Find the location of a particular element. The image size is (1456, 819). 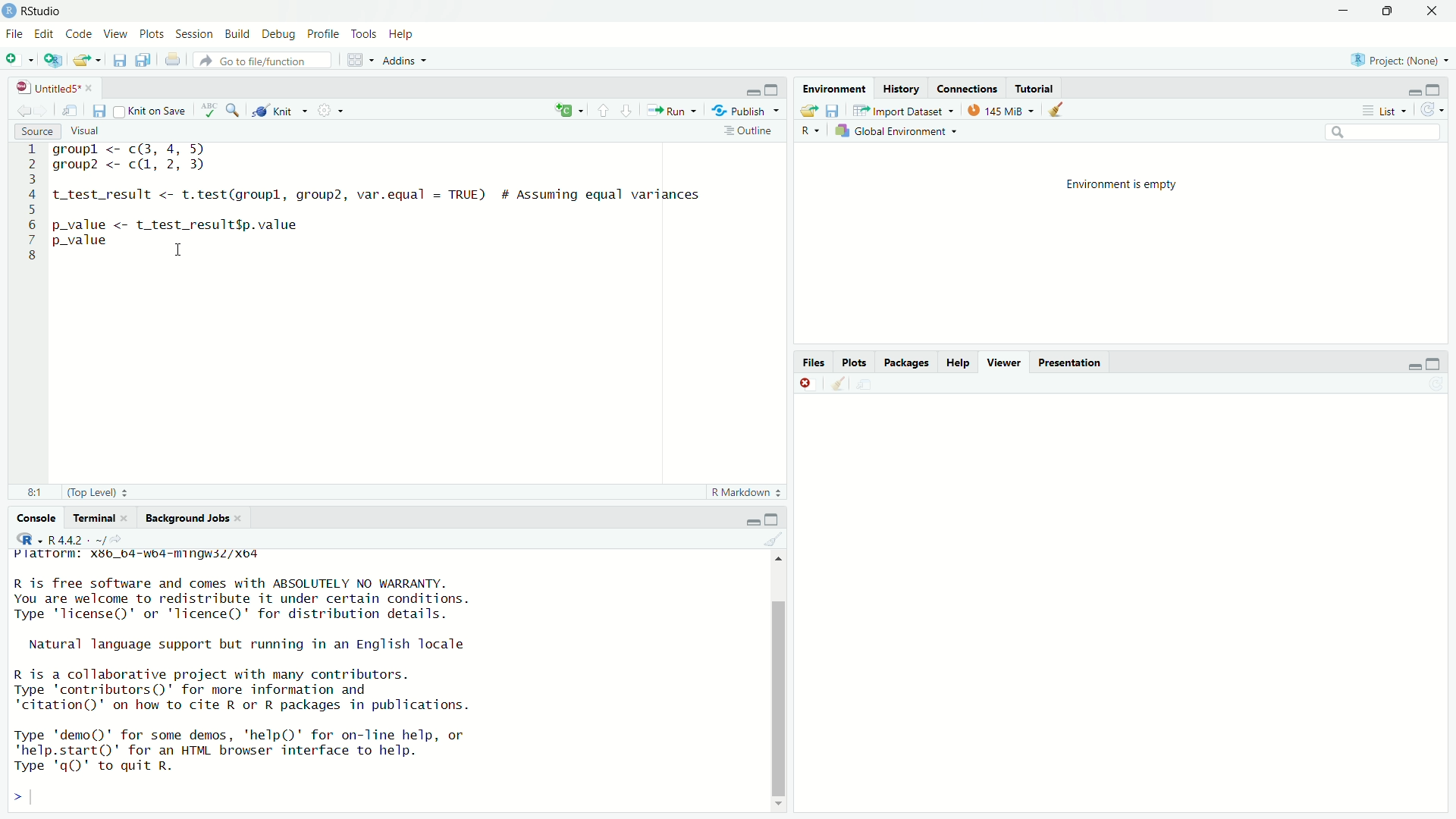

clear objects from workspace is located at coordinates (1059, 109).